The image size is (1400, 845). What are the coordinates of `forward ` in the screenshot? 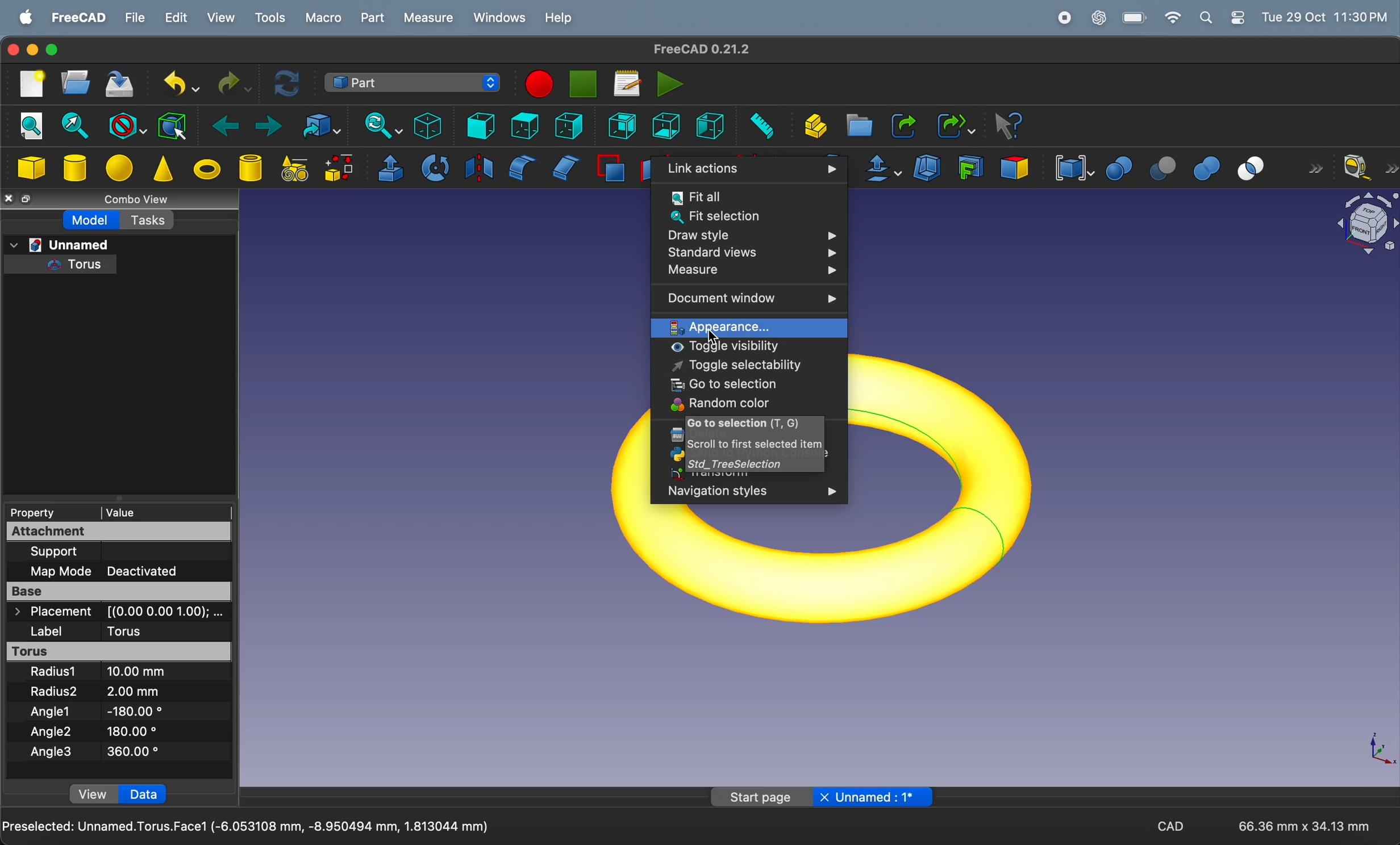 It's located at (264, 125).